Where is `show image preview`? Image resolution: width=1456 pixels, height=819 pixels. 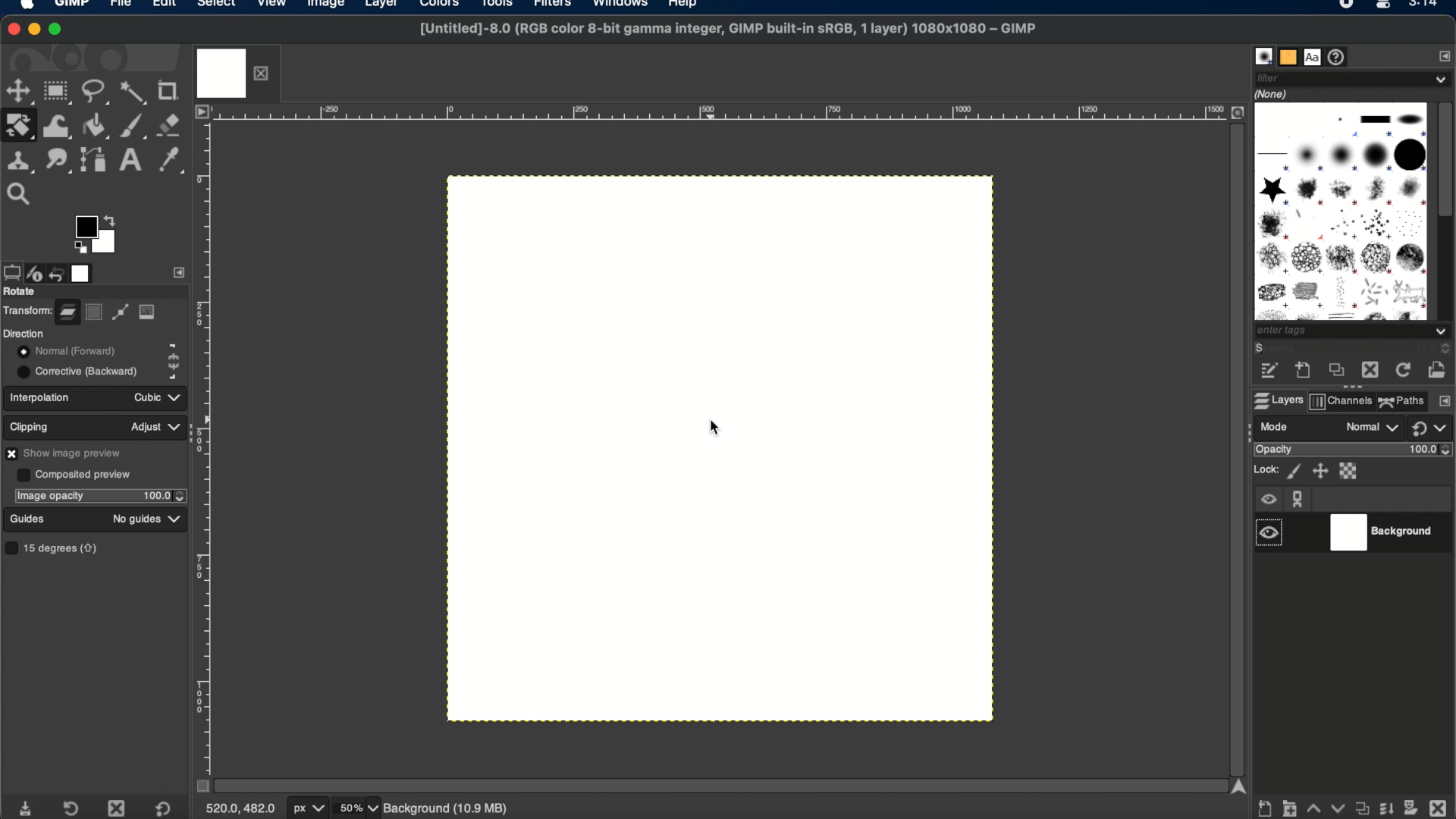
show image preview is located at coordinates (67, 453).